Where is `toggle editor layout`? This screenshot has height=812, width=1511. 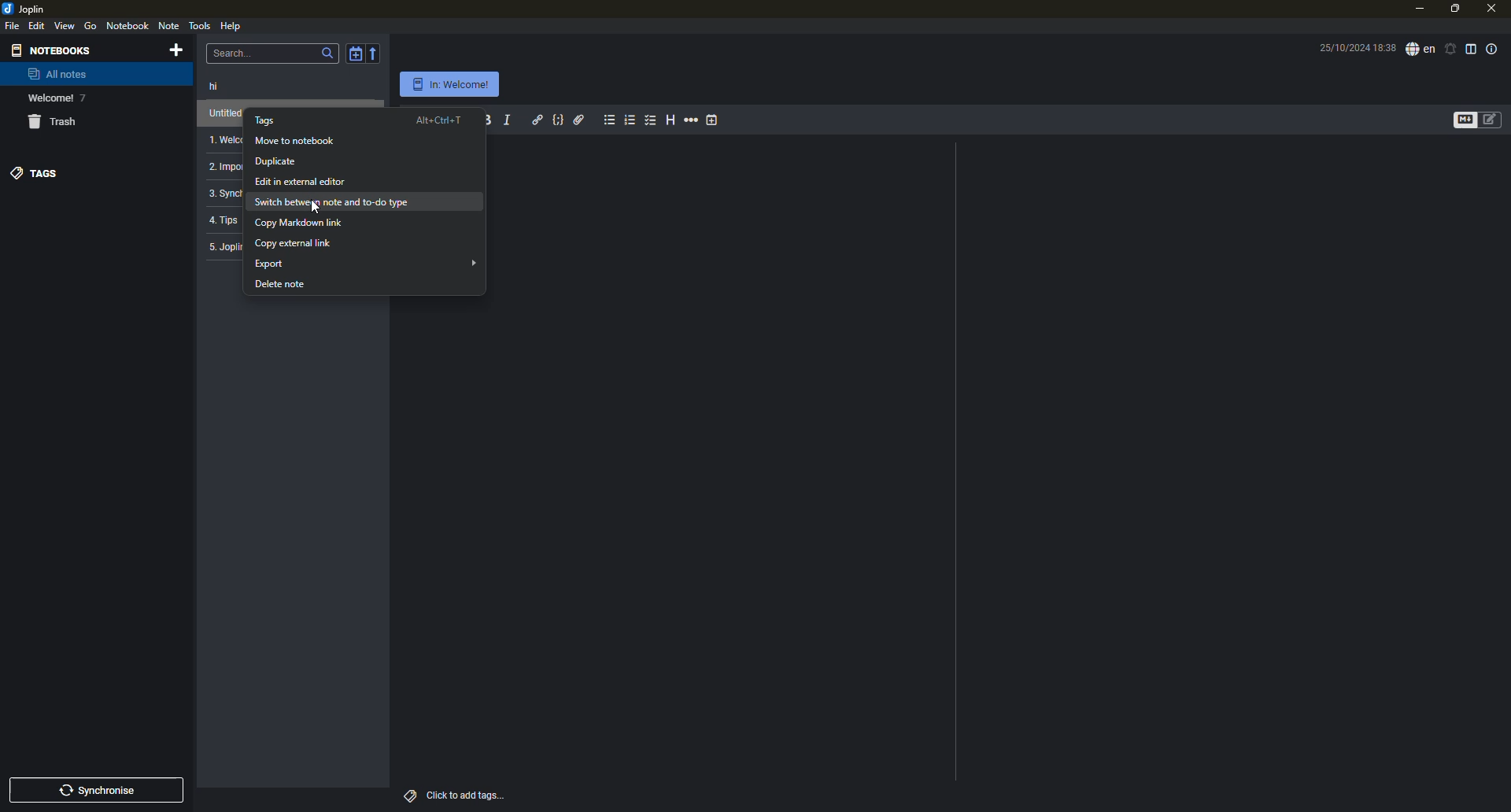 toggle editor layout is located at coordinates (1472, 49).